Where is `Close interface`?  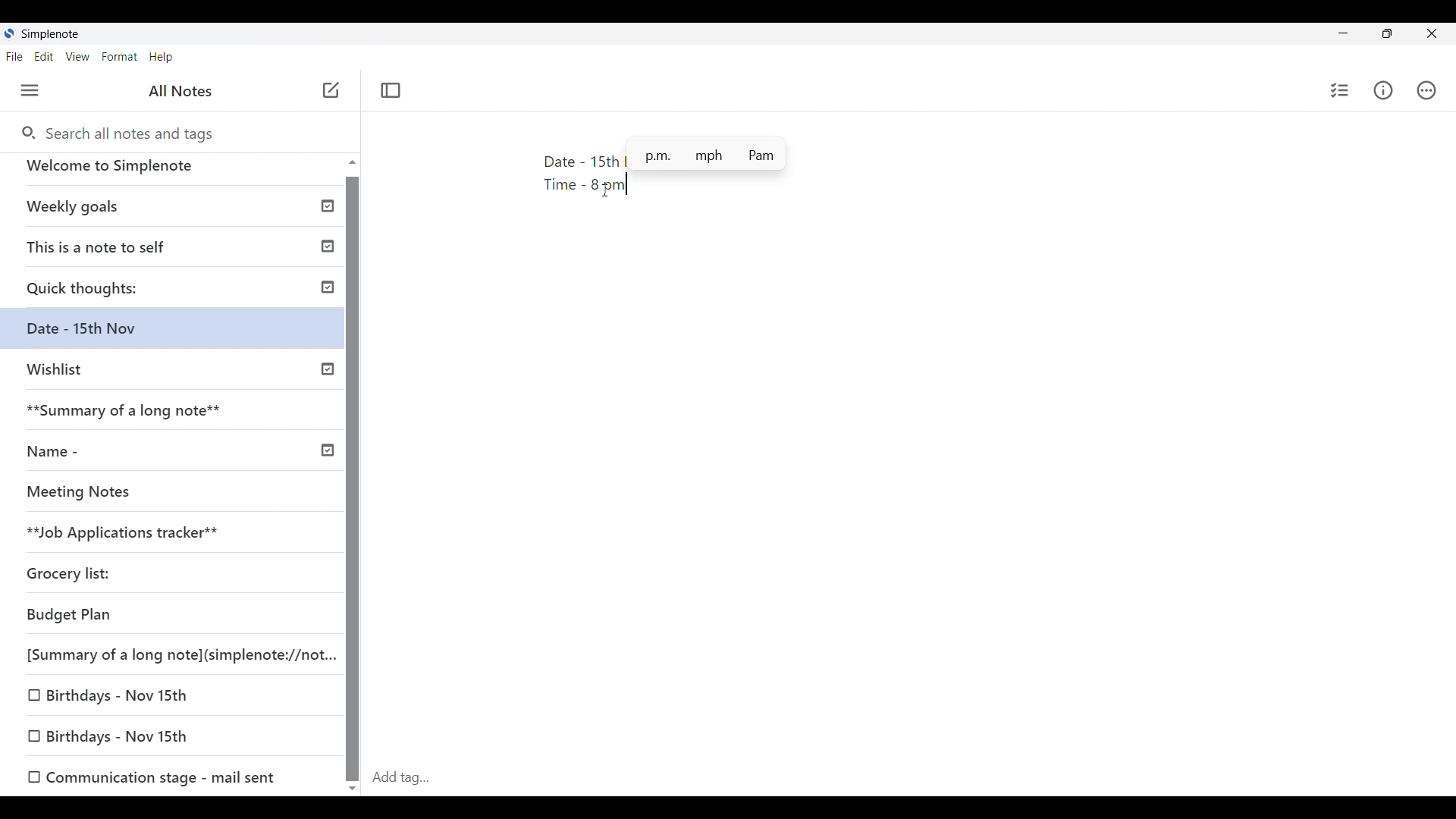 Close interface is located at coordinates (1432, 33).